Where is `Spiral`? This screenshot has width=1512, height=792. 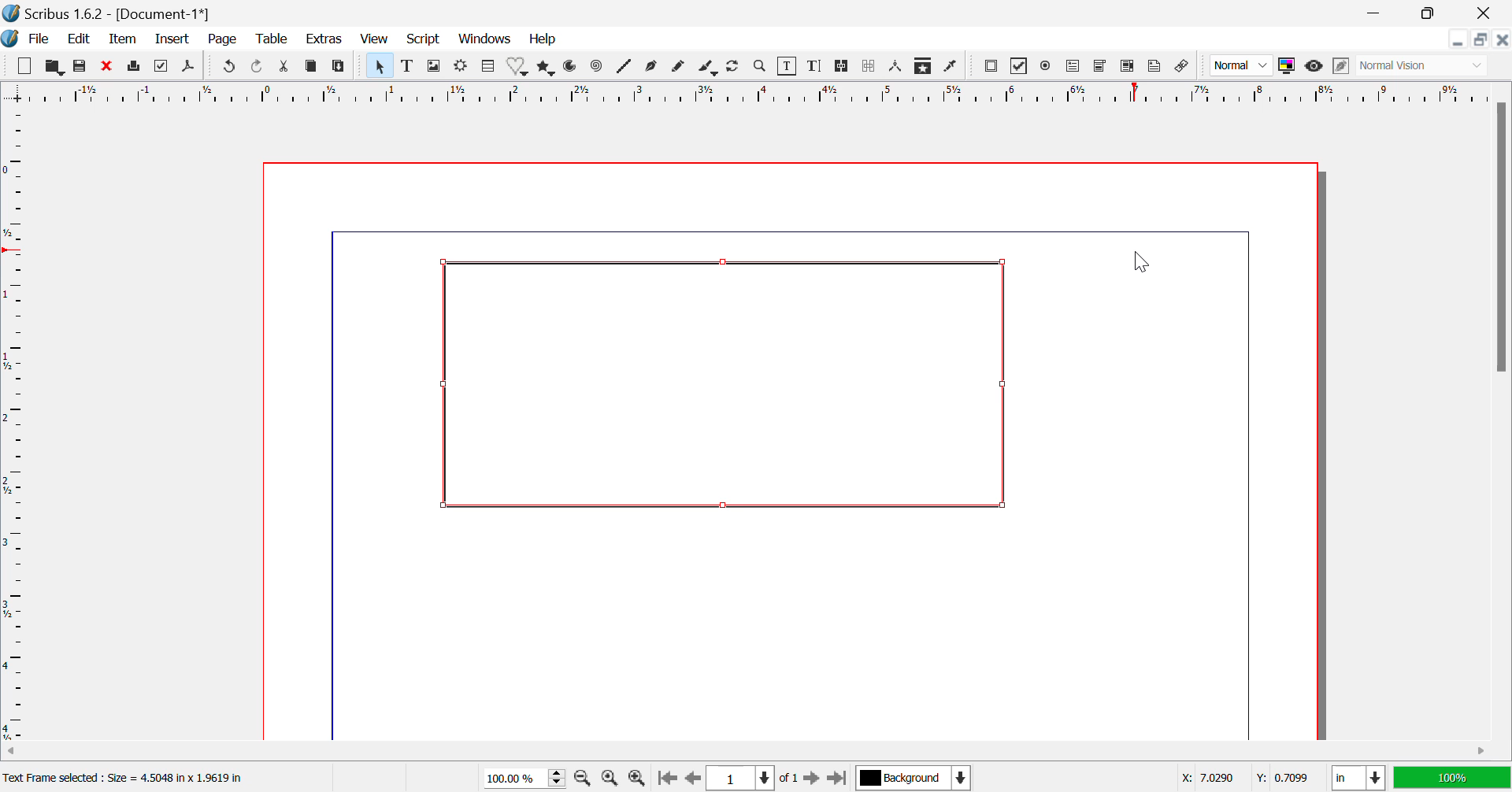 Spiral is located at coordinates (595, 69).